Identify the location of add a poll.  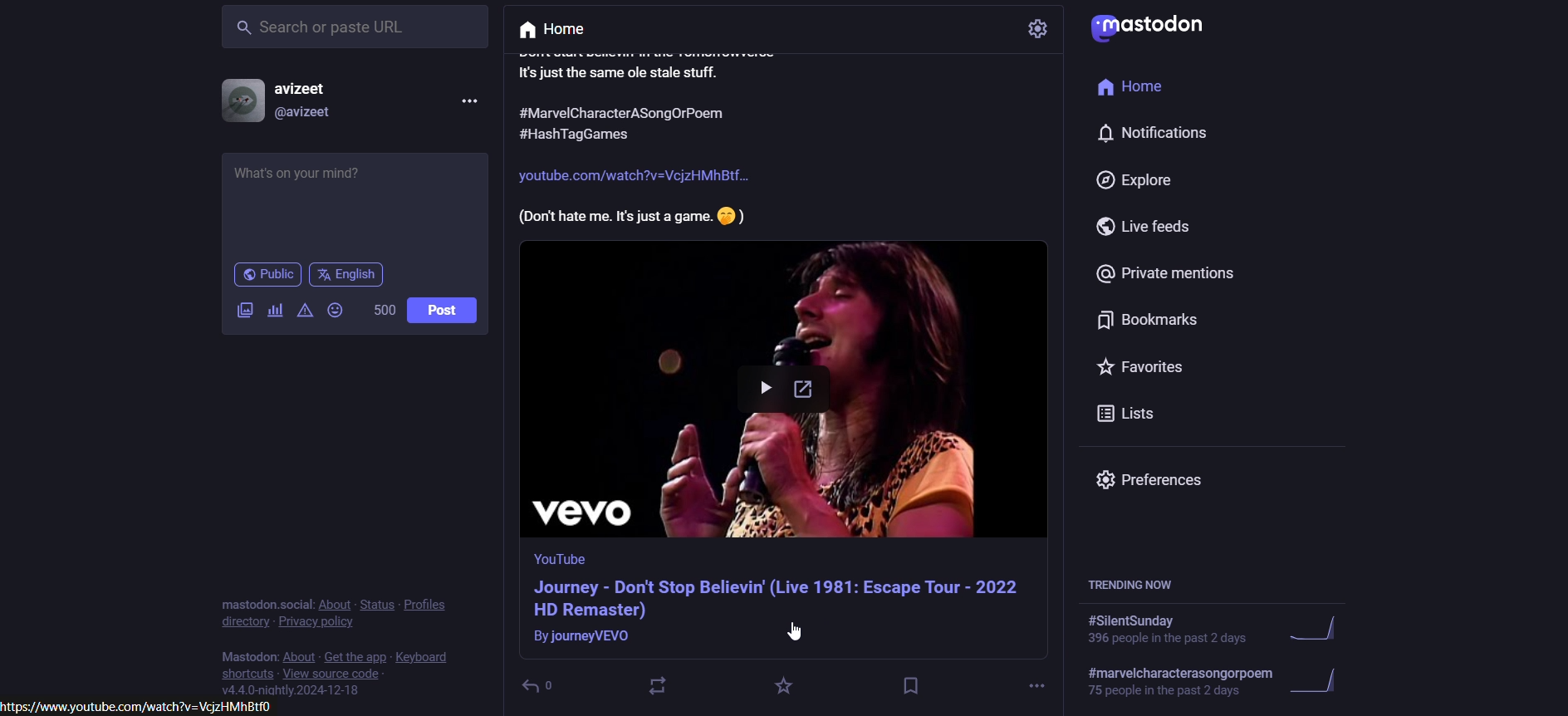
(276, 311).